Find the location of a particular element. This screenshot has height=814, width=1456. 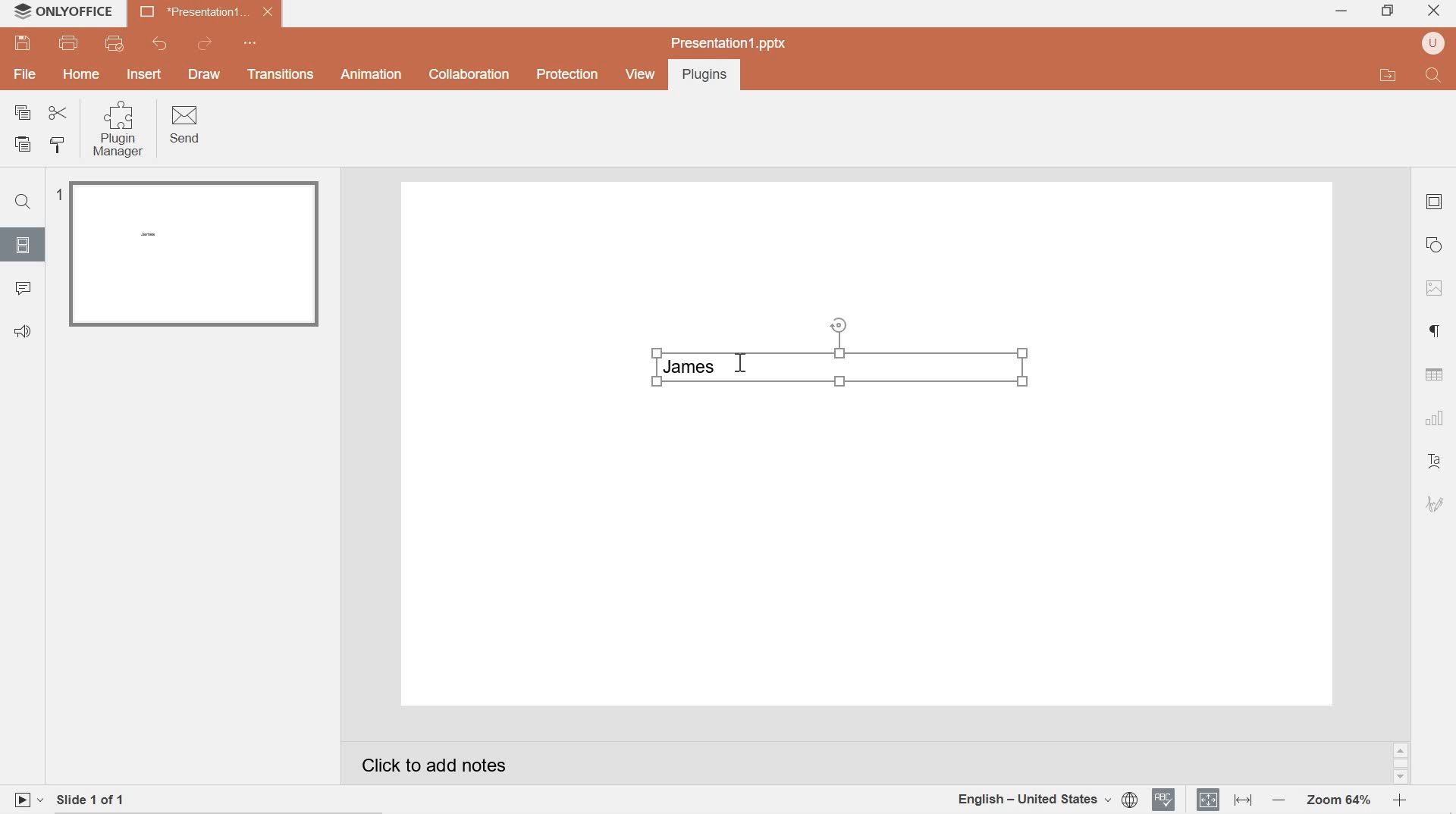

hOME is located at coordinates (82, 76).